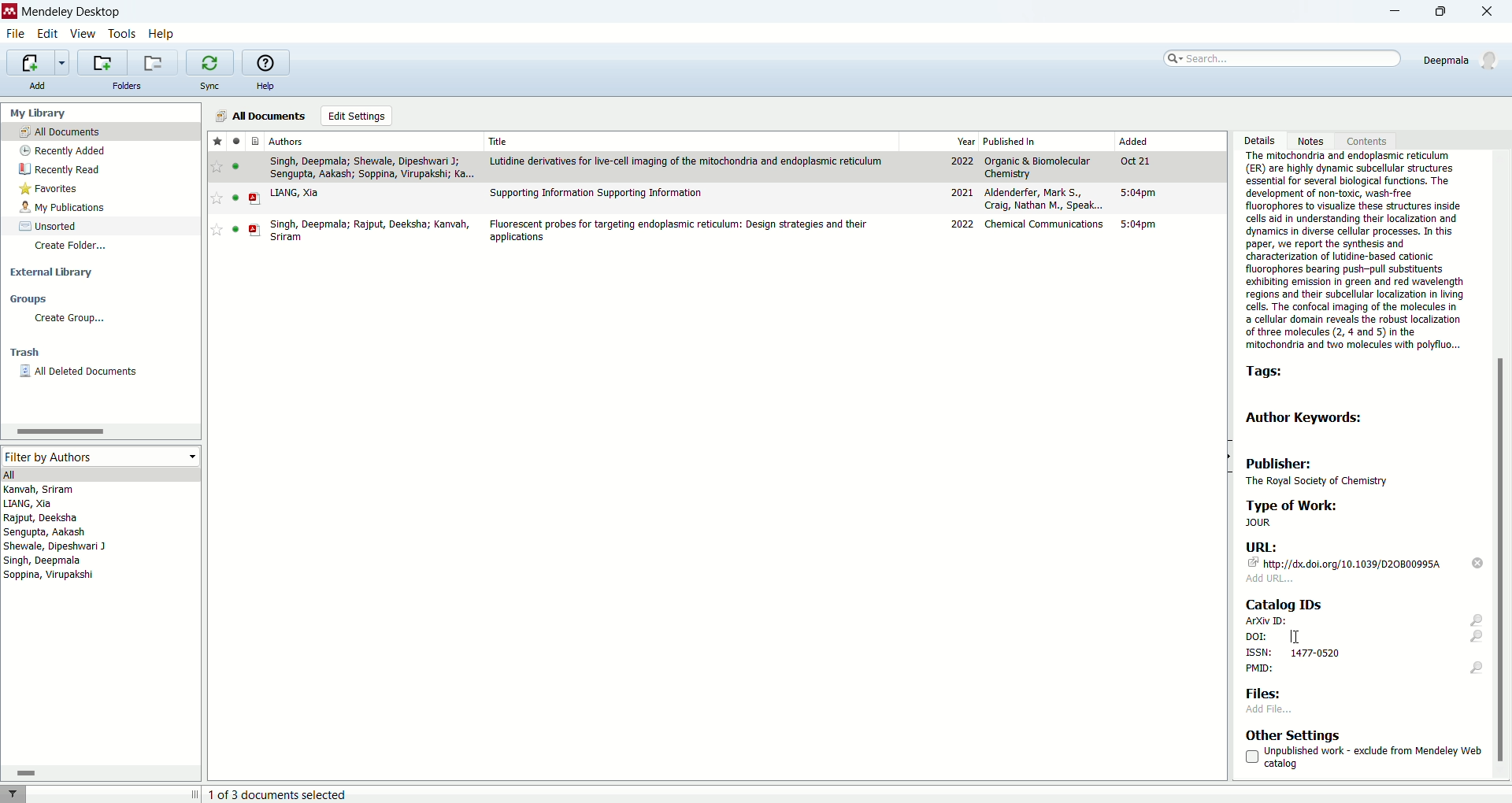 The height and width of the screenshot is (803, 1512). I want to click on PMID: , so click(1364, 670).